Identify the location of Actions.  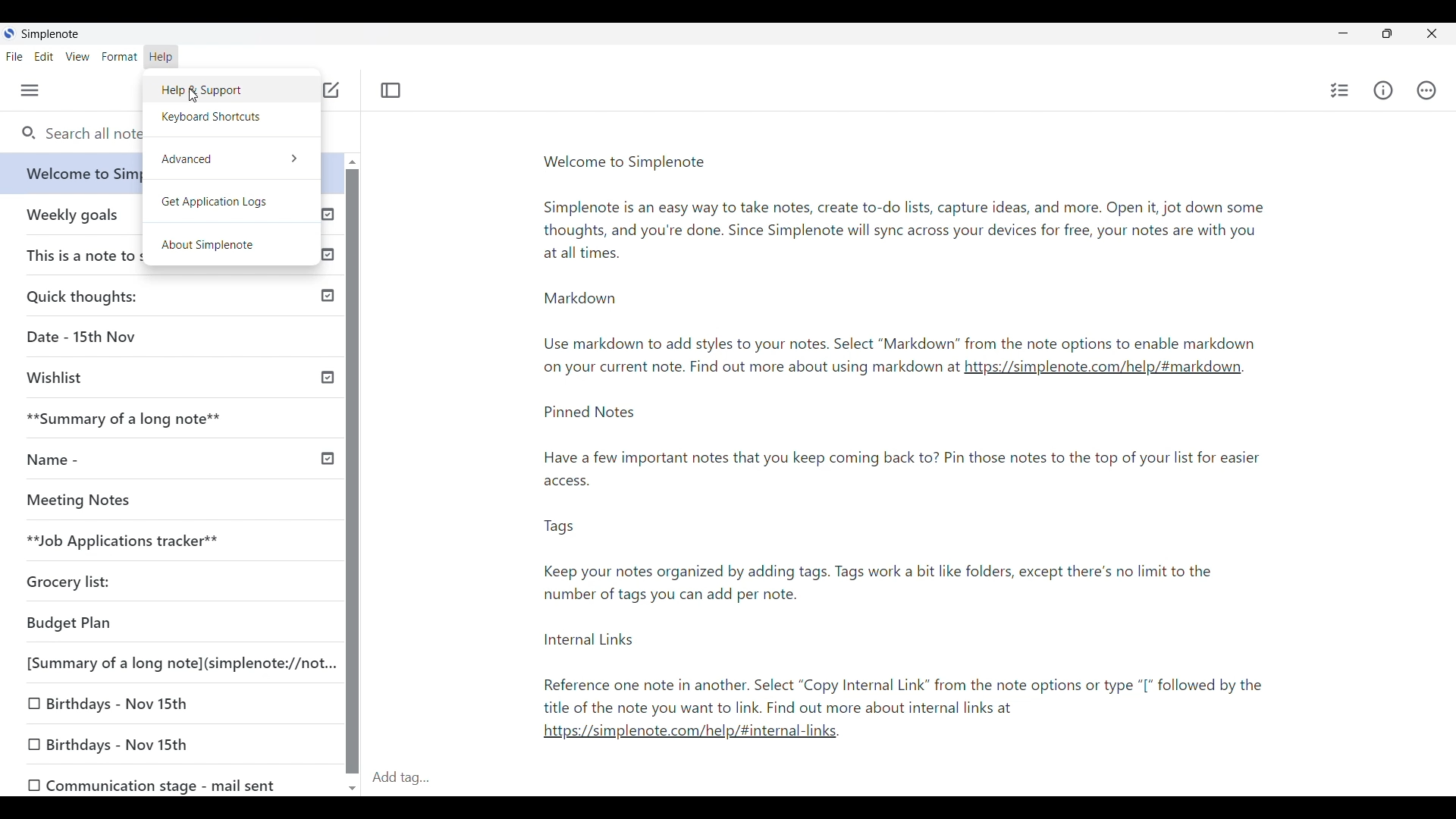
(1427, 90).